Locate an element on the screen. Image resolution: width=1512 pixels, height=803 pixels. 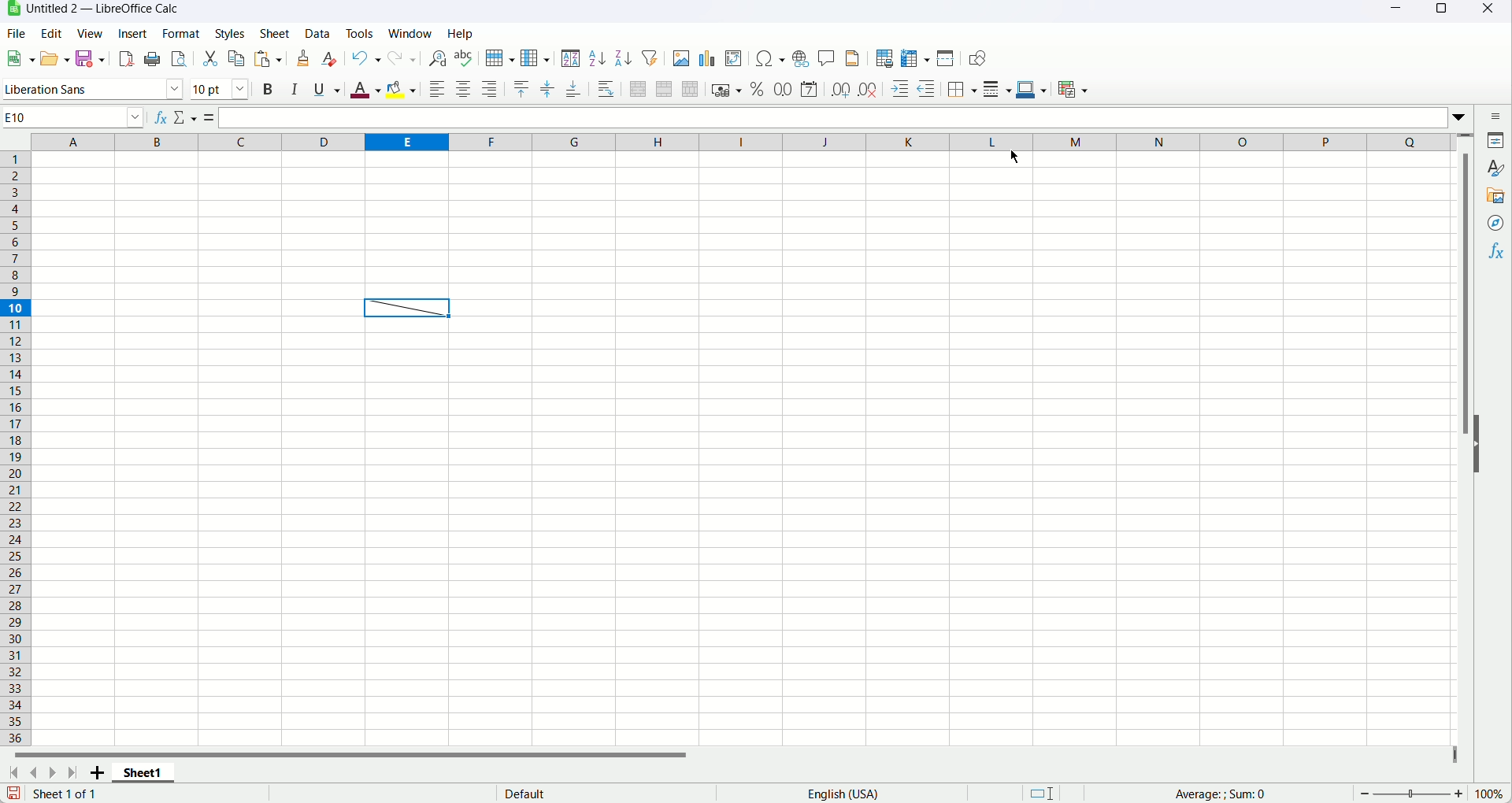
Column is located at coordinates (536, 57).